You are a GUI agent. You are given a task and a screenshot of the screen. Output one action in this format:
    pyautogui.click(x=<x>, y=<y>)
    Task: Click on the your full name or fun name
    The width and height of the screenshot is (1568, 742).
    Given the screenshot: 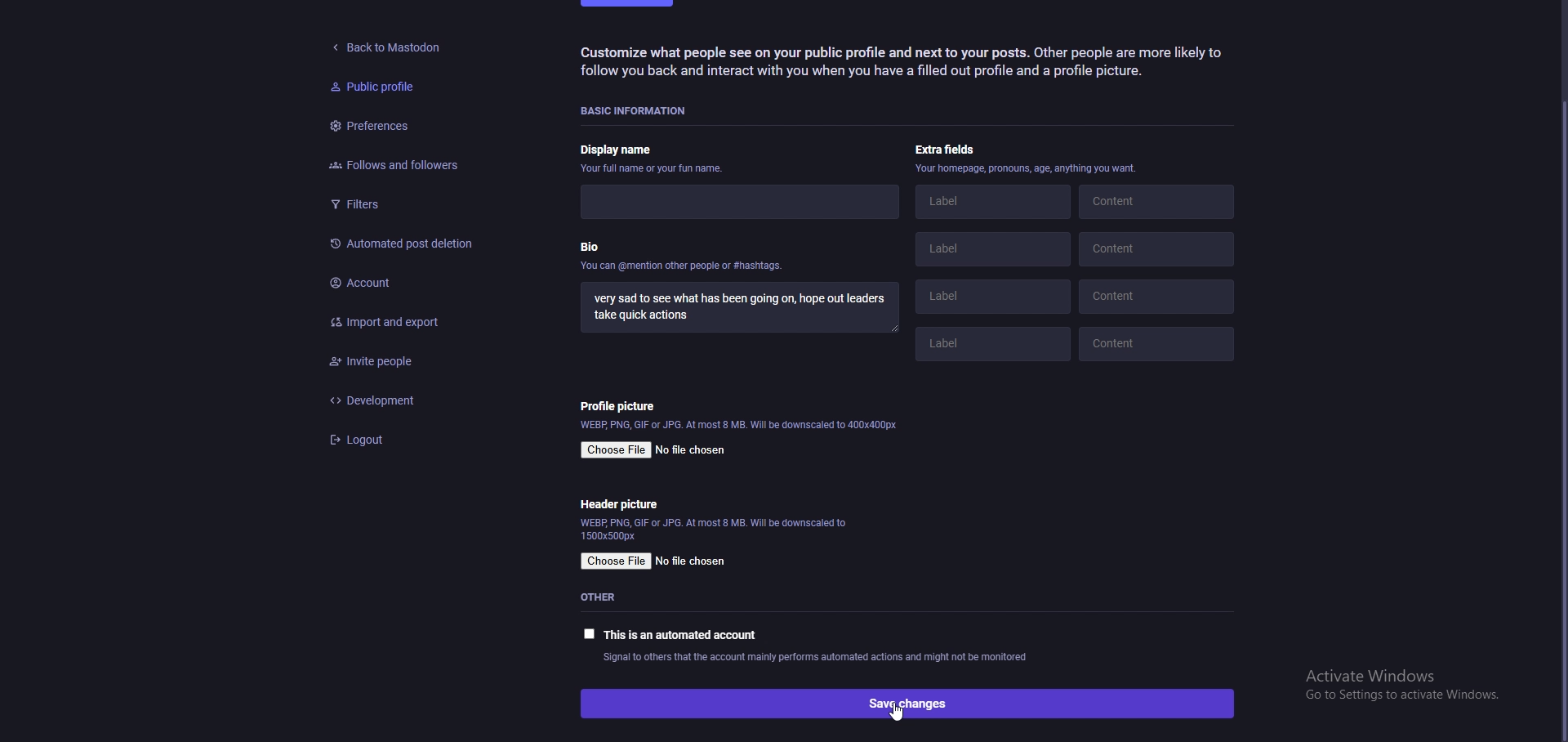 What is the action you would take?
    pyautogui.click(x=657, y=169)
    